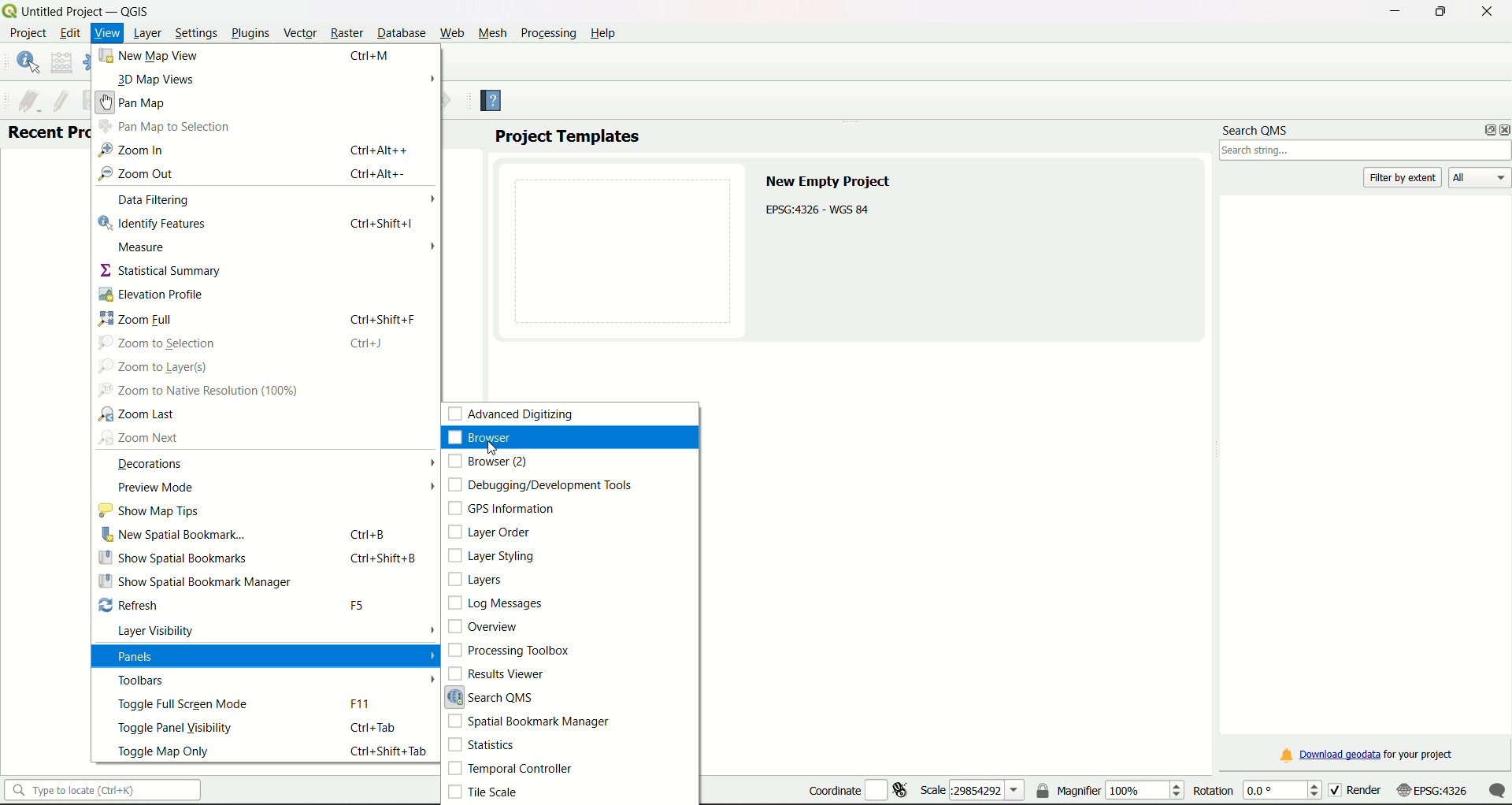  Describe the element at coordinates (154, 488) in the screenshot. I see `preview mode` at that location.